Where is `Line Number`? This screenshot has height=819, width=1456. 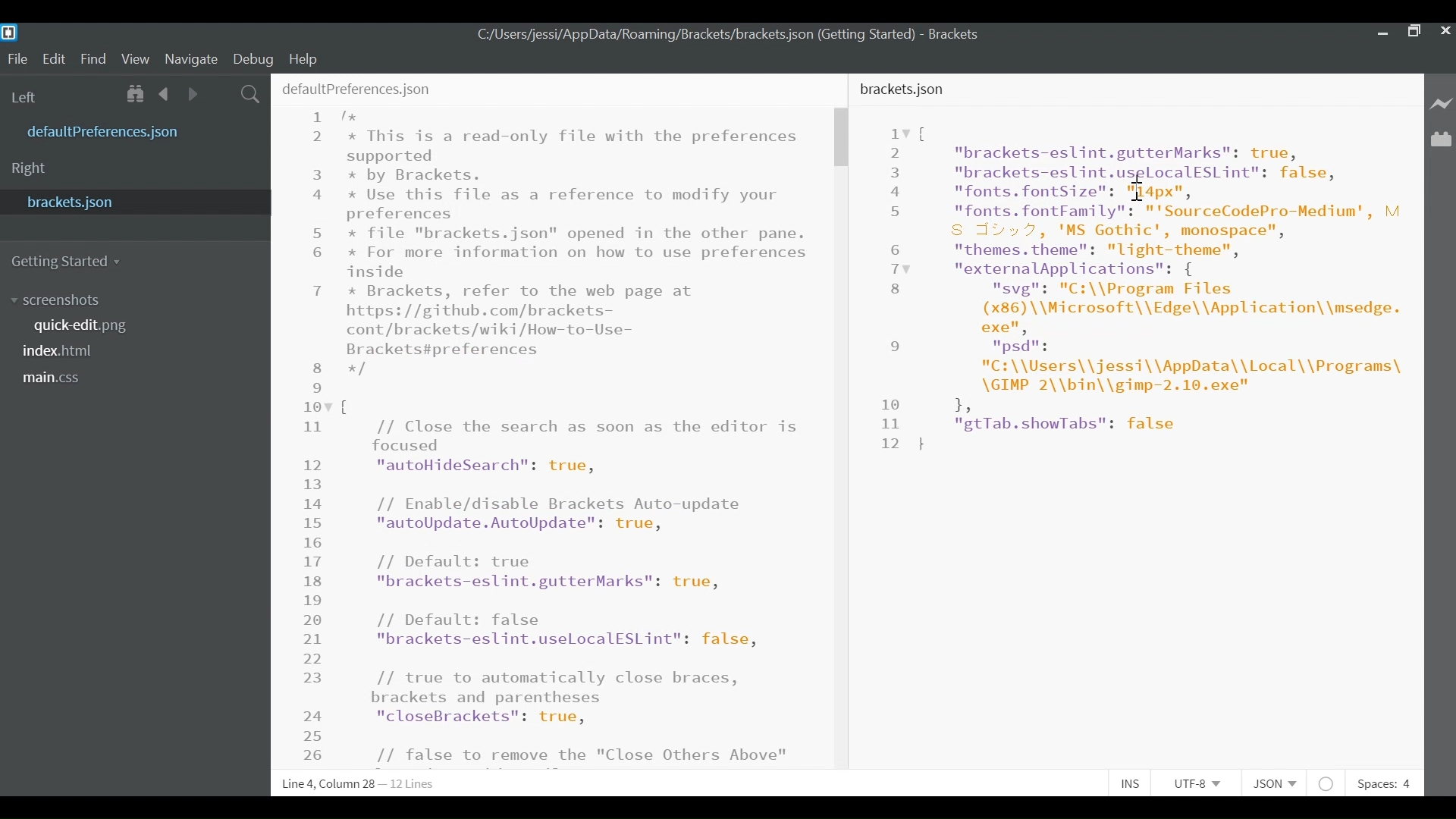 Line Number is located at coordinates (312, 434).